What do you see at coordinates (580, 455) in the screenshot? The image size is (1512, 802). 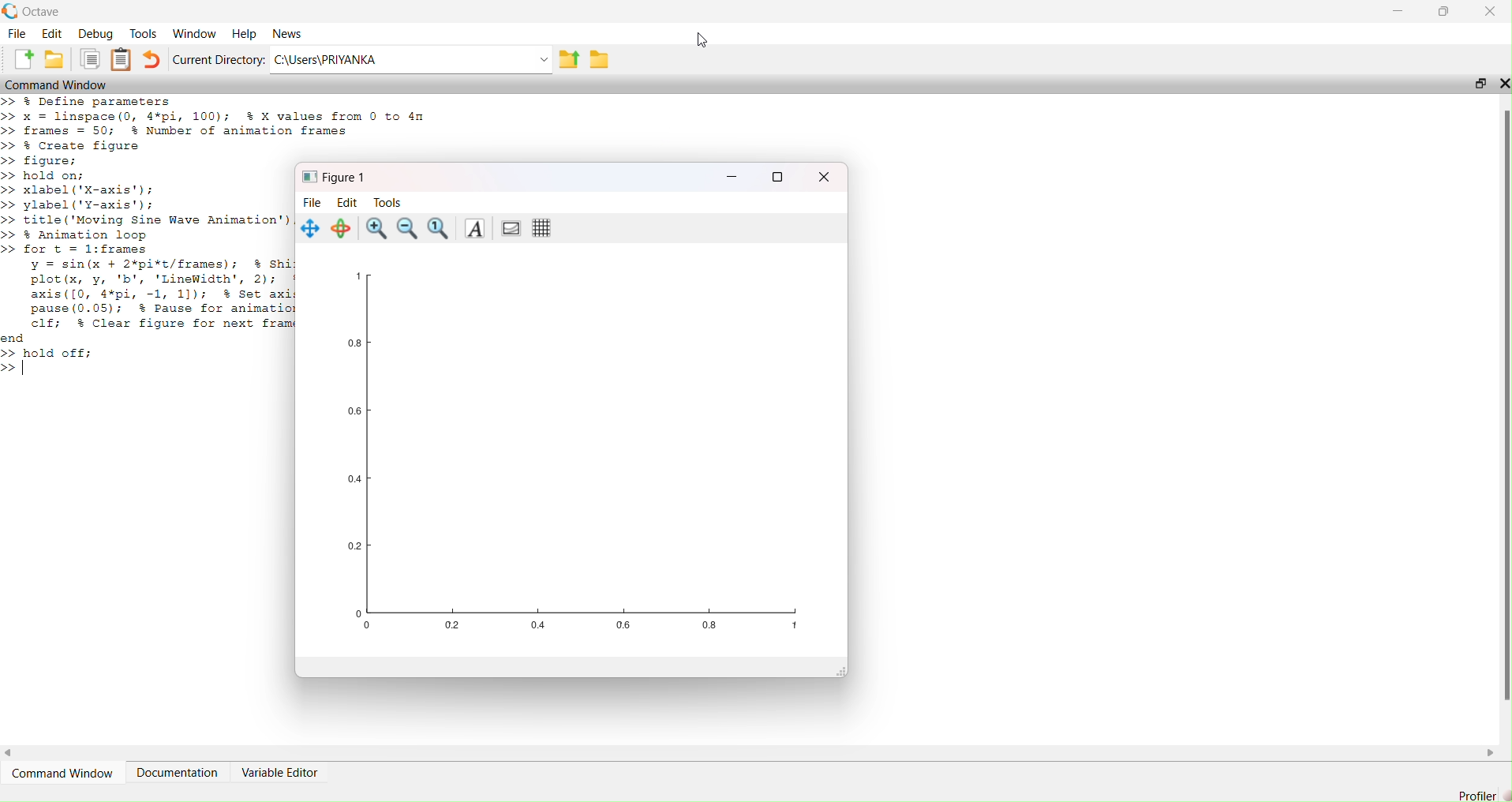 I see `graph` at bounding box center [580, 455].